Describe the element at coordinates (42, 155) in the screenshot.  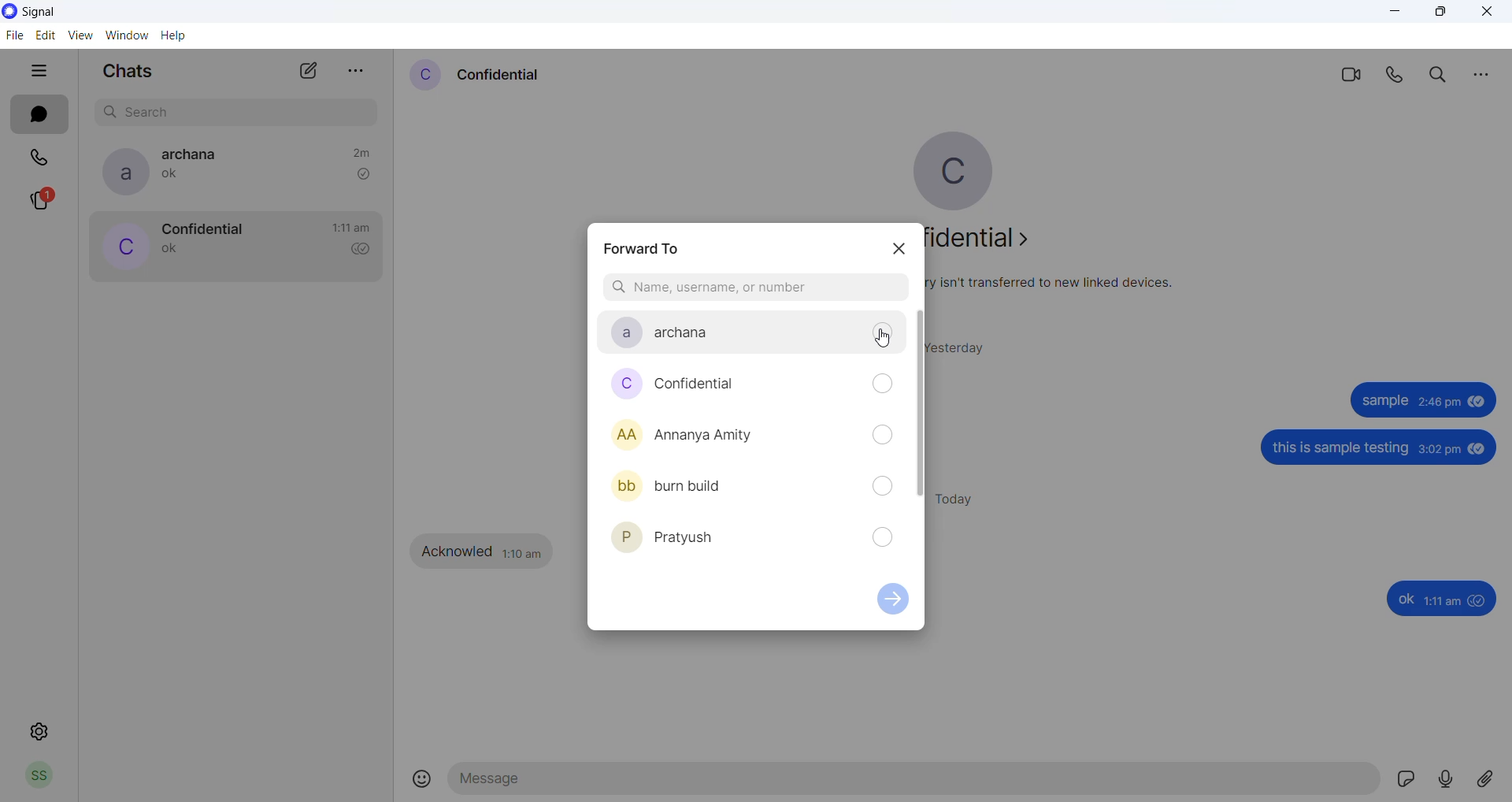
I see `calls` at that location.